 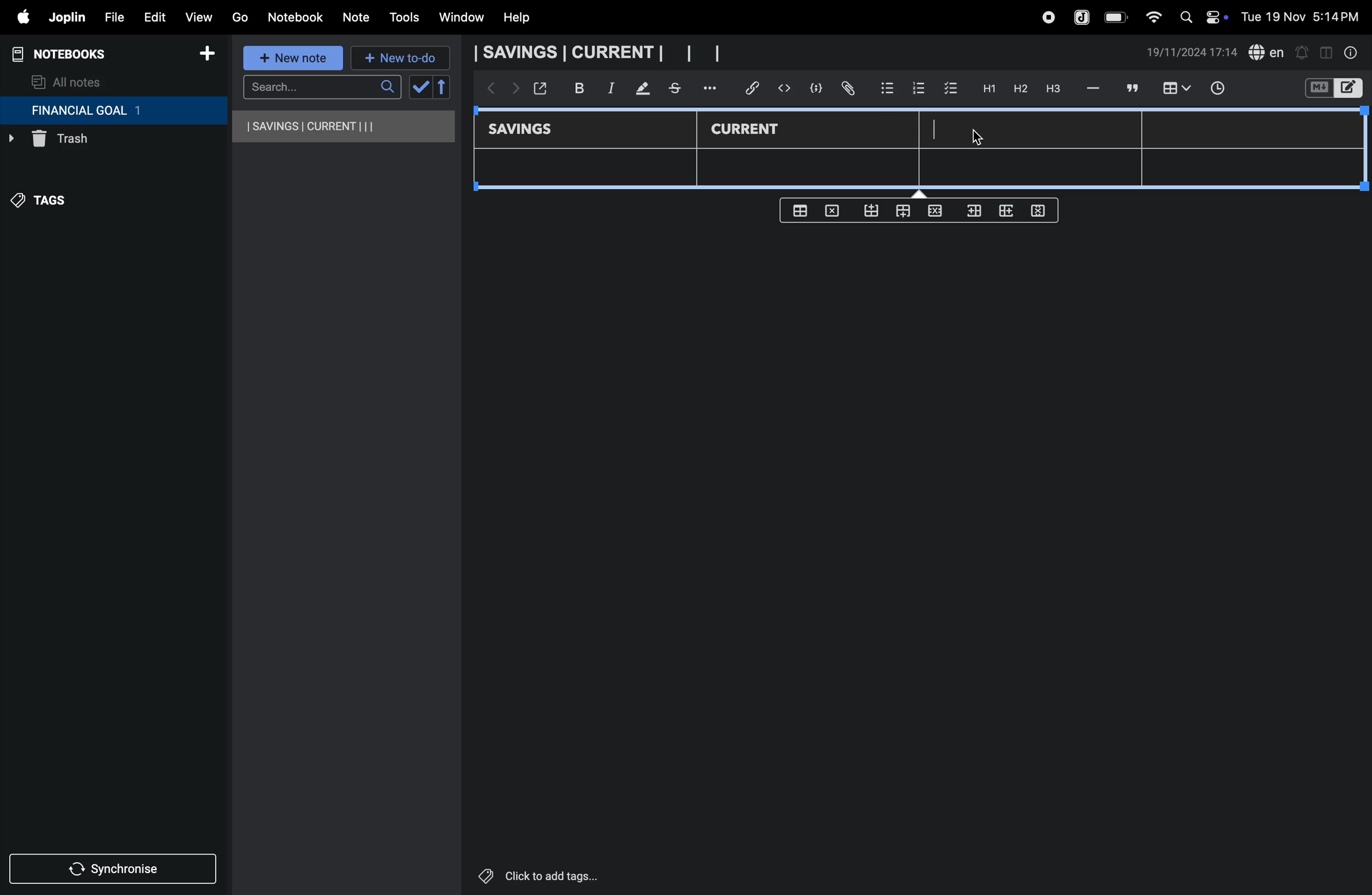 What do you see at coordinates (1047, 17) in the screenshot?
I see `record` at bounding box center [1047, 17].